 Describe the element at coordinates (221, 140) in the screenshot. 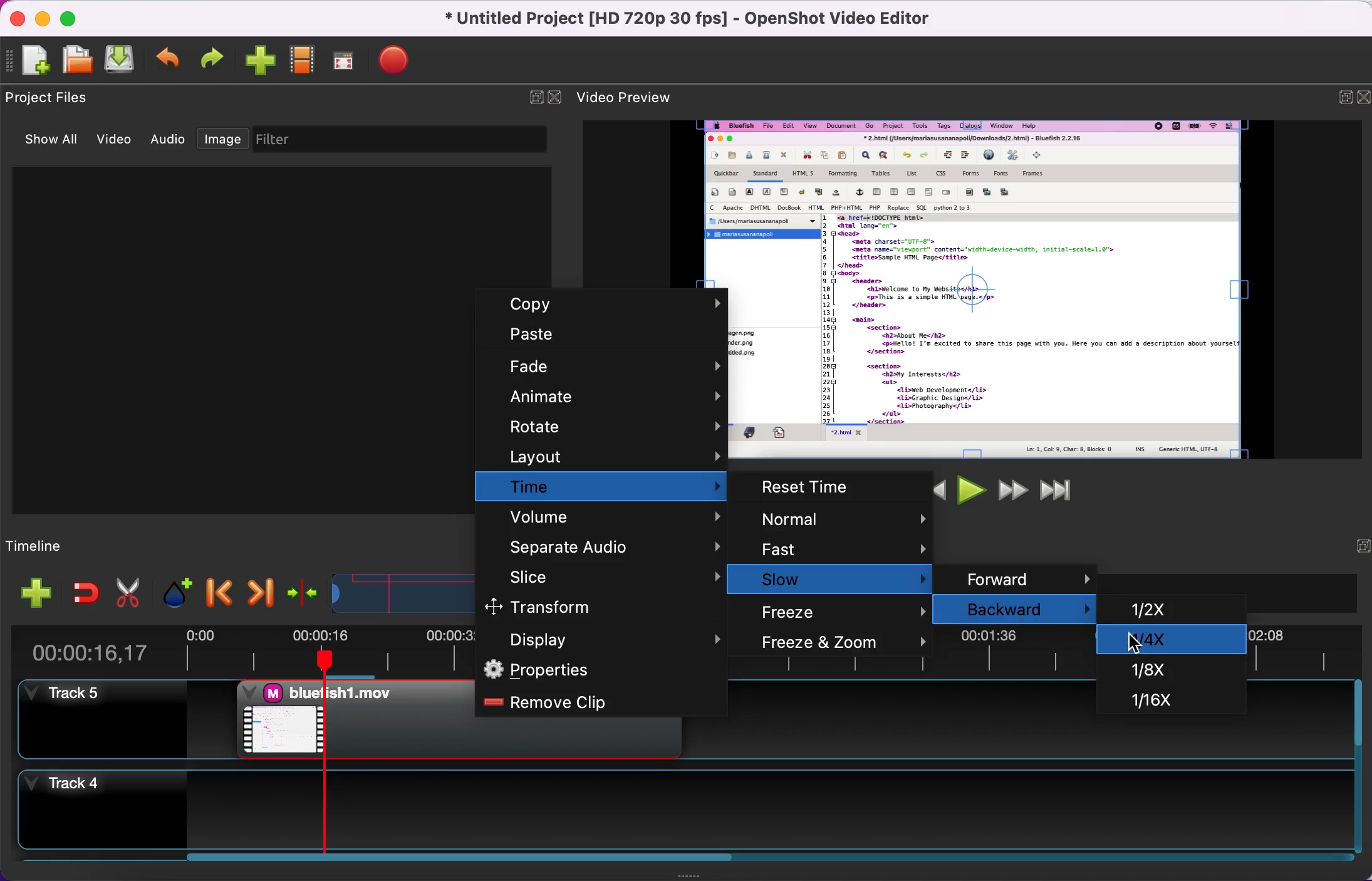

I see `image` at that location.